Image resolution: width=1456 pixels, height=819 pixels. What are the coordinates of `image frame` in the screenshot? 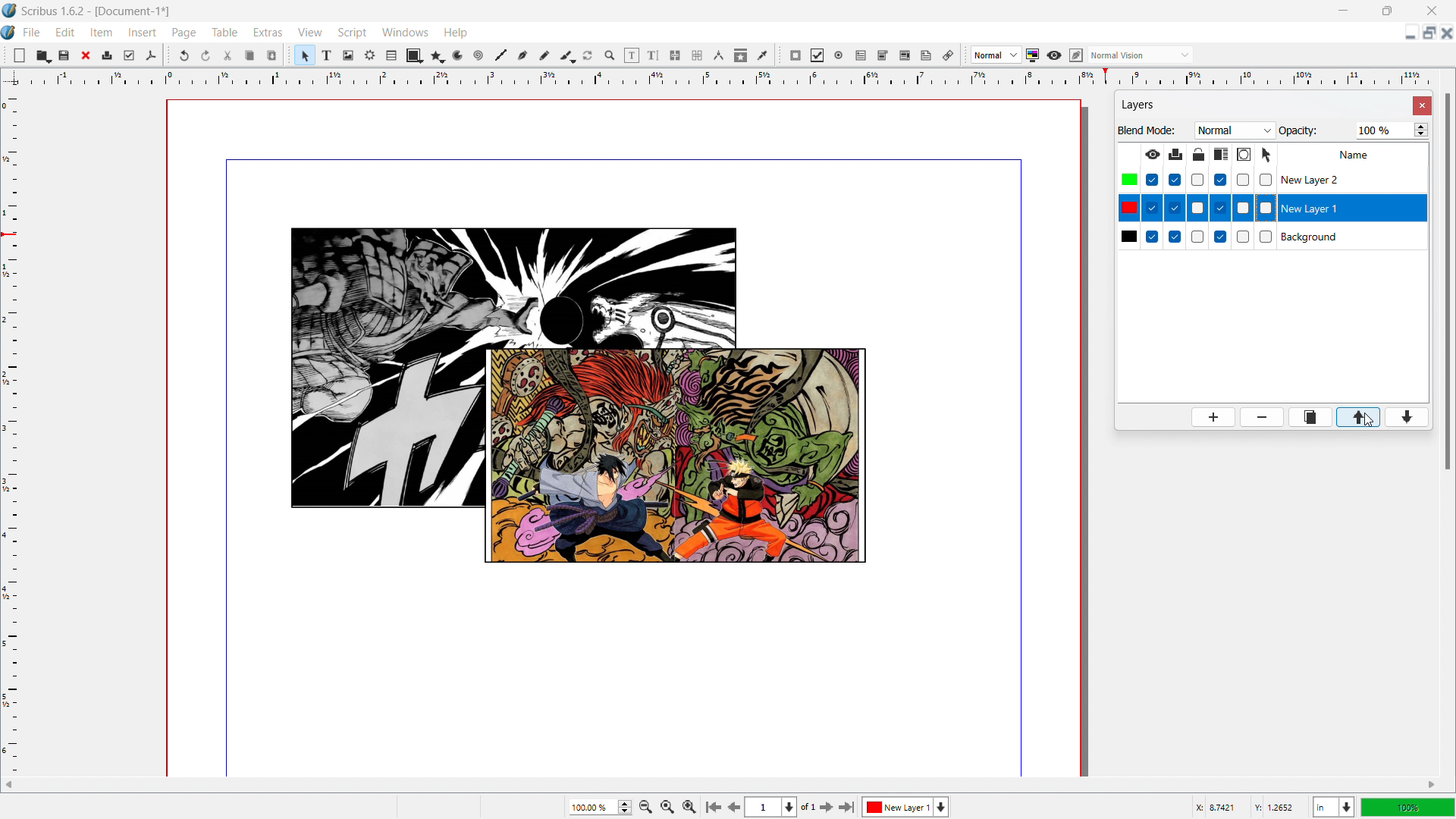 It's located at (349, 55).